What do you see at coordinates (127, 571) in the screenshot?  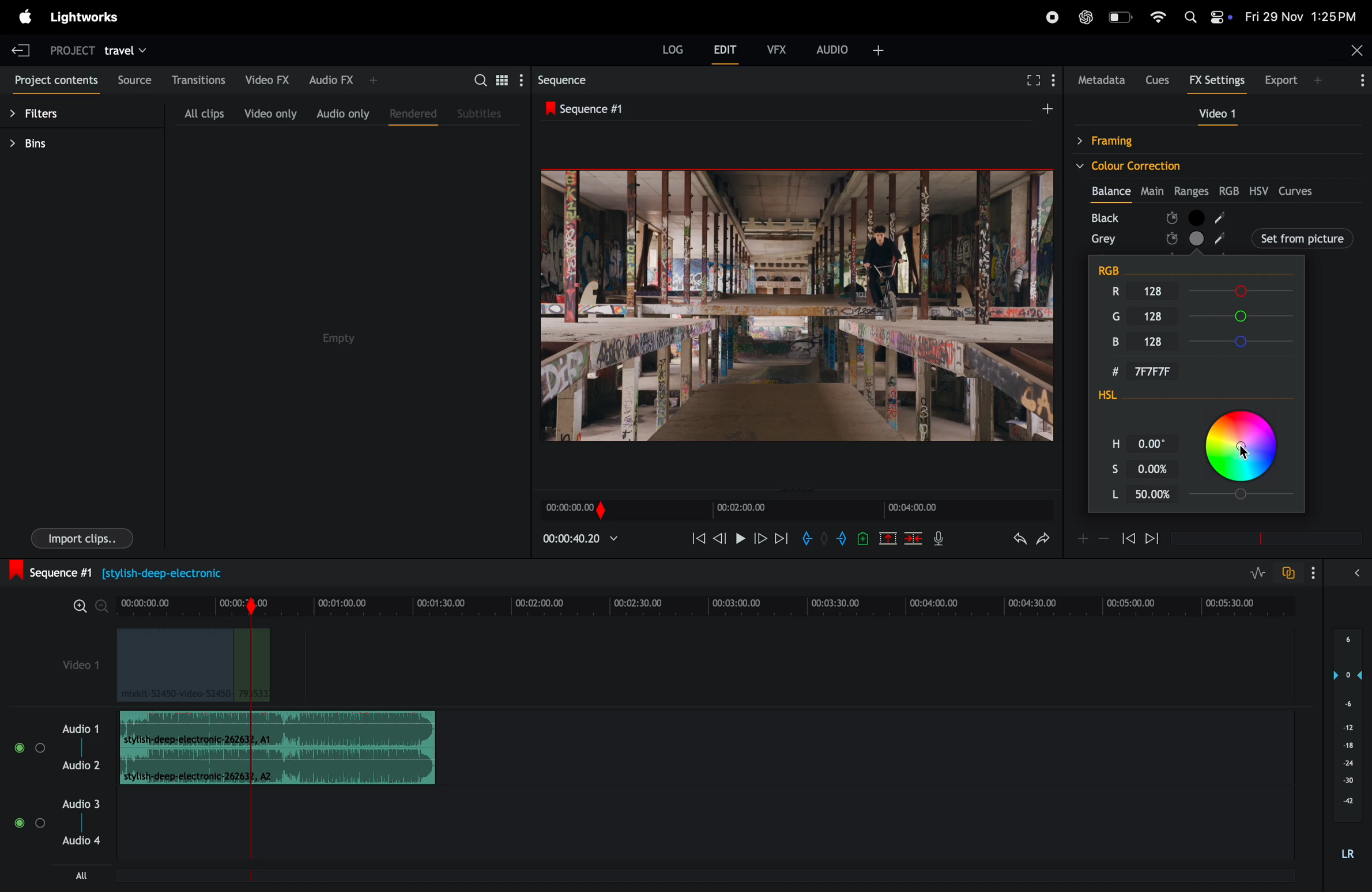 I see `sequence #1` at bounding box center [127, 571].